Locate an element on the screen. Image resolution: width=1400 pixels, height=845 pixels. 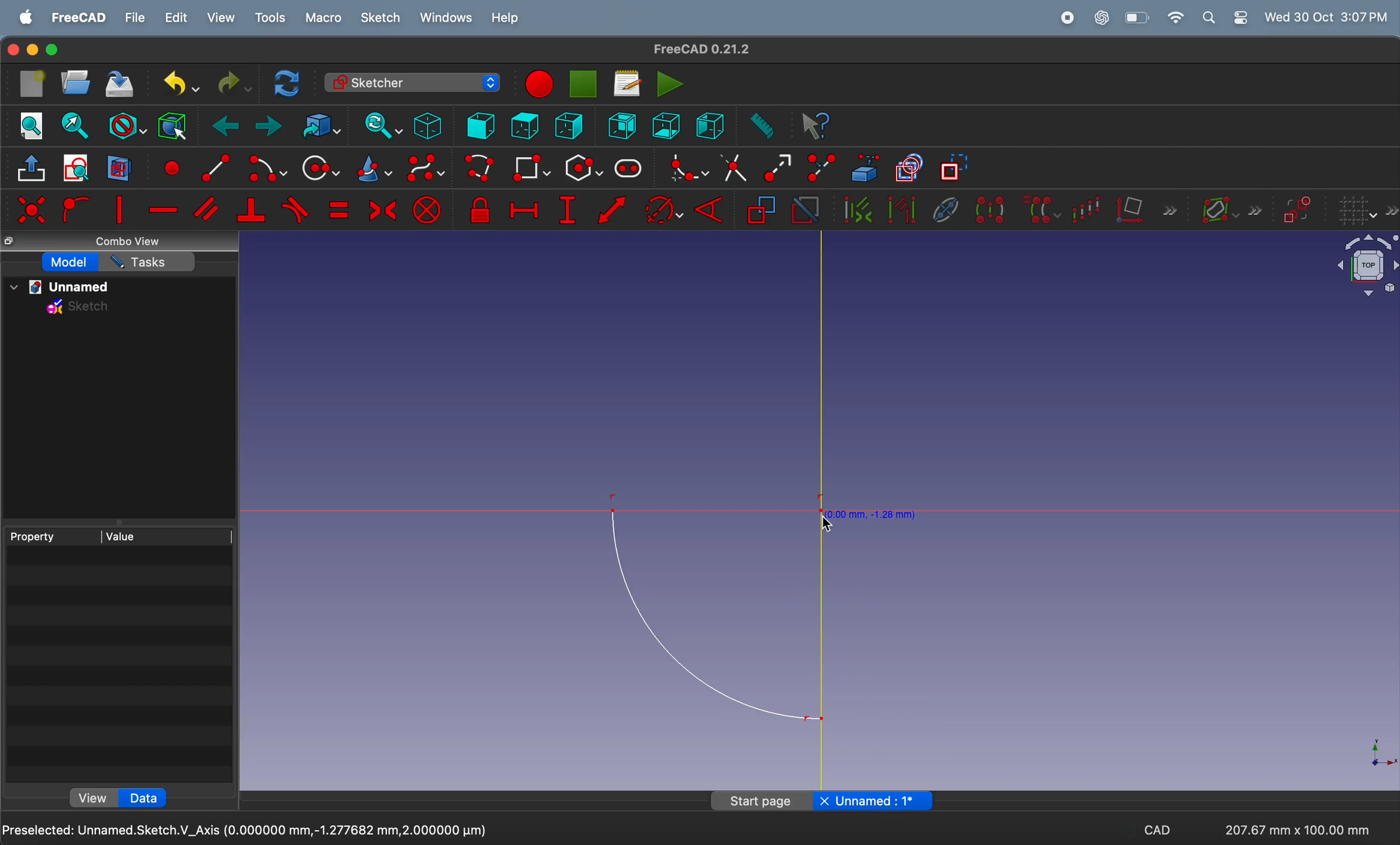
cursor is located at coordinates (828, 523).